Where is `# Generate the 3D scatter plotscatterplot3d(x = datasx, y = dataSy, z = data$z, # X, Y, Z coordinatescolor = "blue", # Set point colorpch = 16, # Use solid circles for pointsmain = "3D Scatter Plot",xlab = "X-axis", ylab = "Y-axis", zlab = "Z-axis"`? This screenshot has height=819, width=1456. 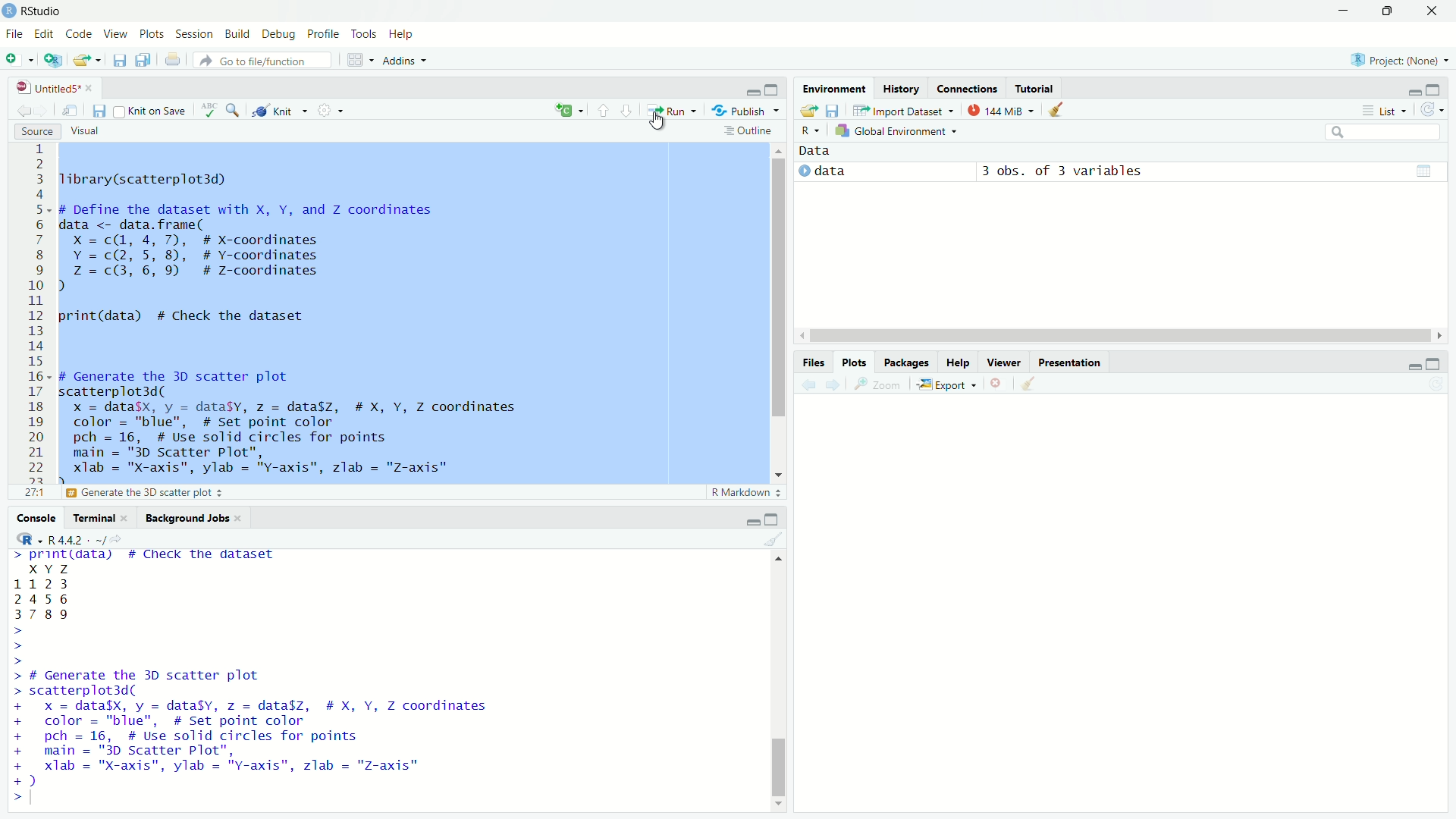 # Generate the 3D scatter plotscatterplot3d(x = datasx, y = dataSy, z = data$z, # X, Y, Z coordinatescolor = "blue", # Set point colorpch = 16, # Use solid circles for pointsmain = "3D Scatter Plot",xlab = "X-axis", ylab = "Y-axis", zlab = "Z-axis" is located at coordinates (309, 424).